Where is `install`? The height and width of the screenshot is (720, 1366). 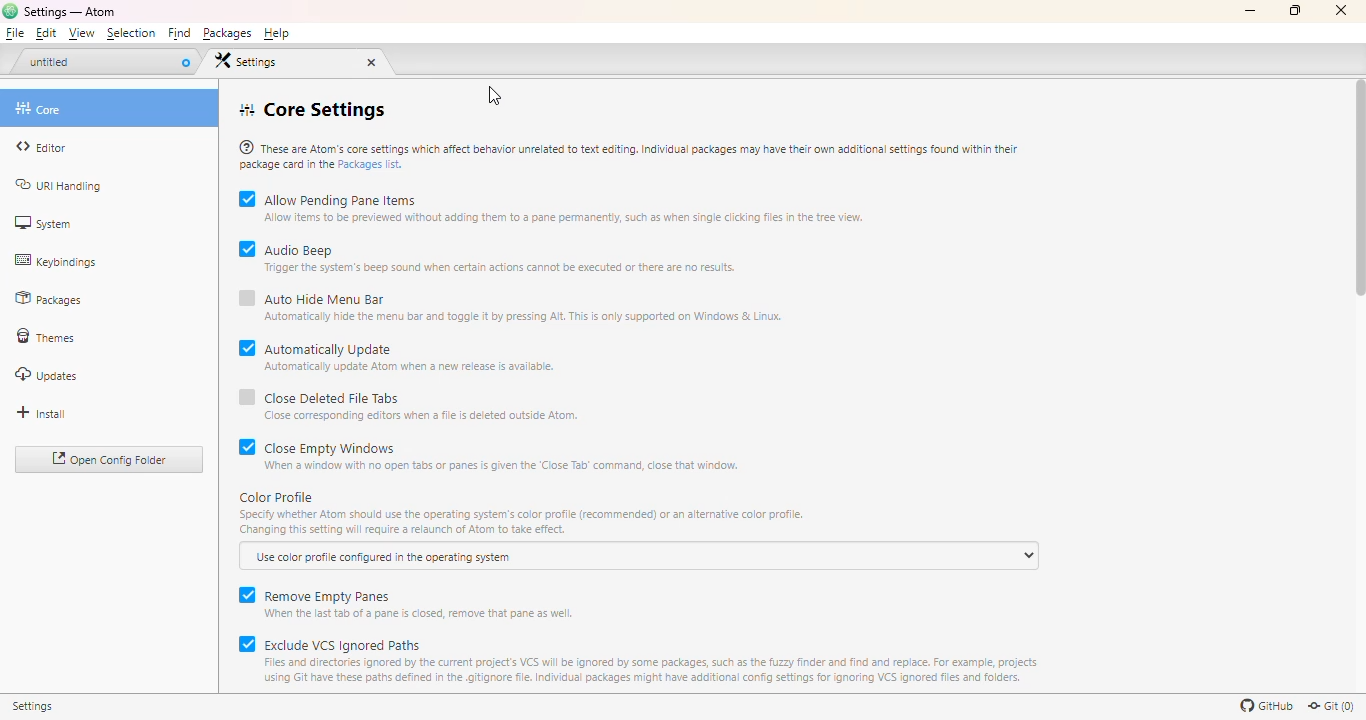
install is located at coordinates (41, 413).